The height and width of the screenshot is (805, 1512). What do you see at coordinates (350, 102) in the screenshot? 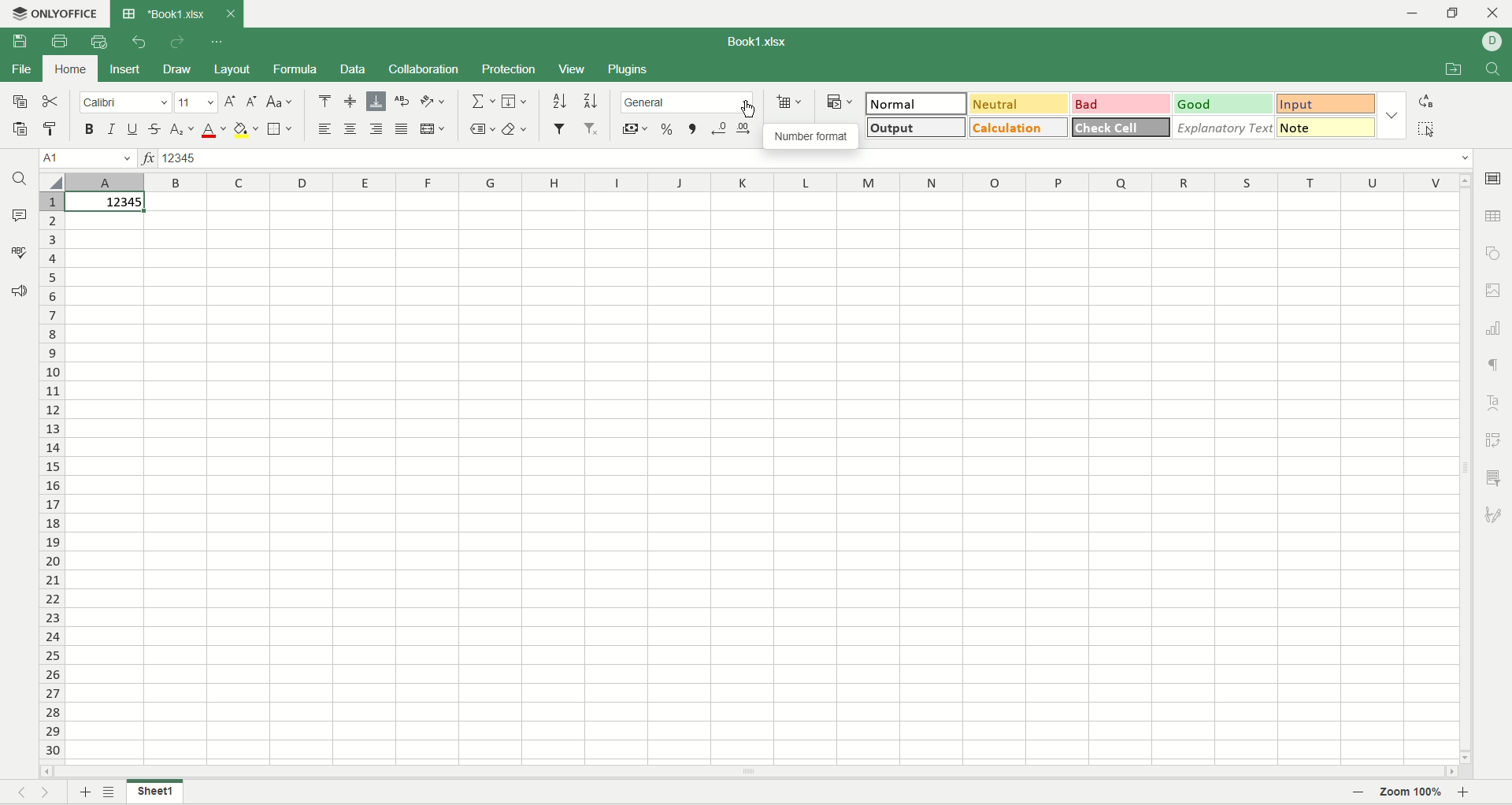
I see `align middle` at bounding box center [350, 102].